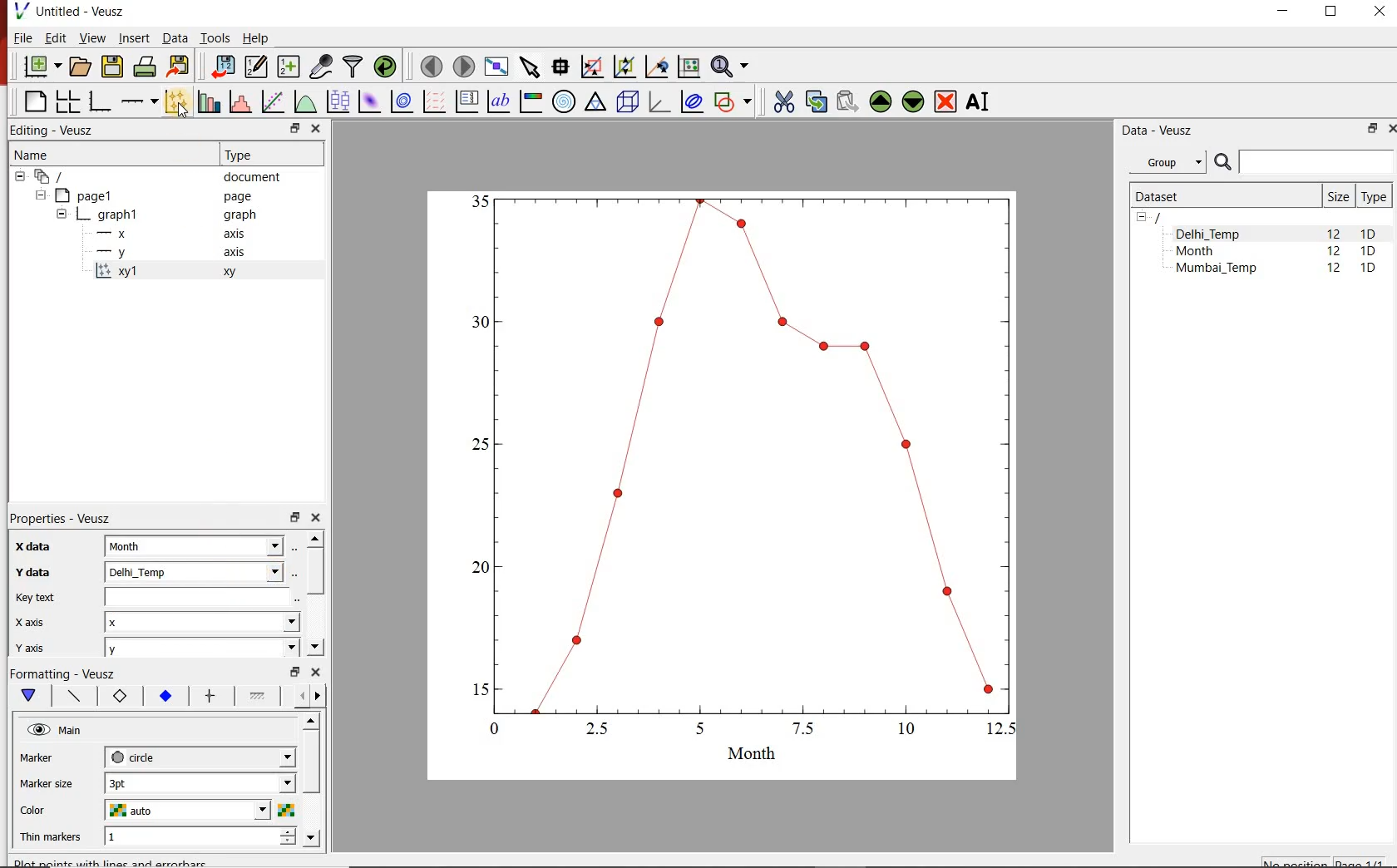  I want to click on select items from the graph or scroll, so click(531, 67).